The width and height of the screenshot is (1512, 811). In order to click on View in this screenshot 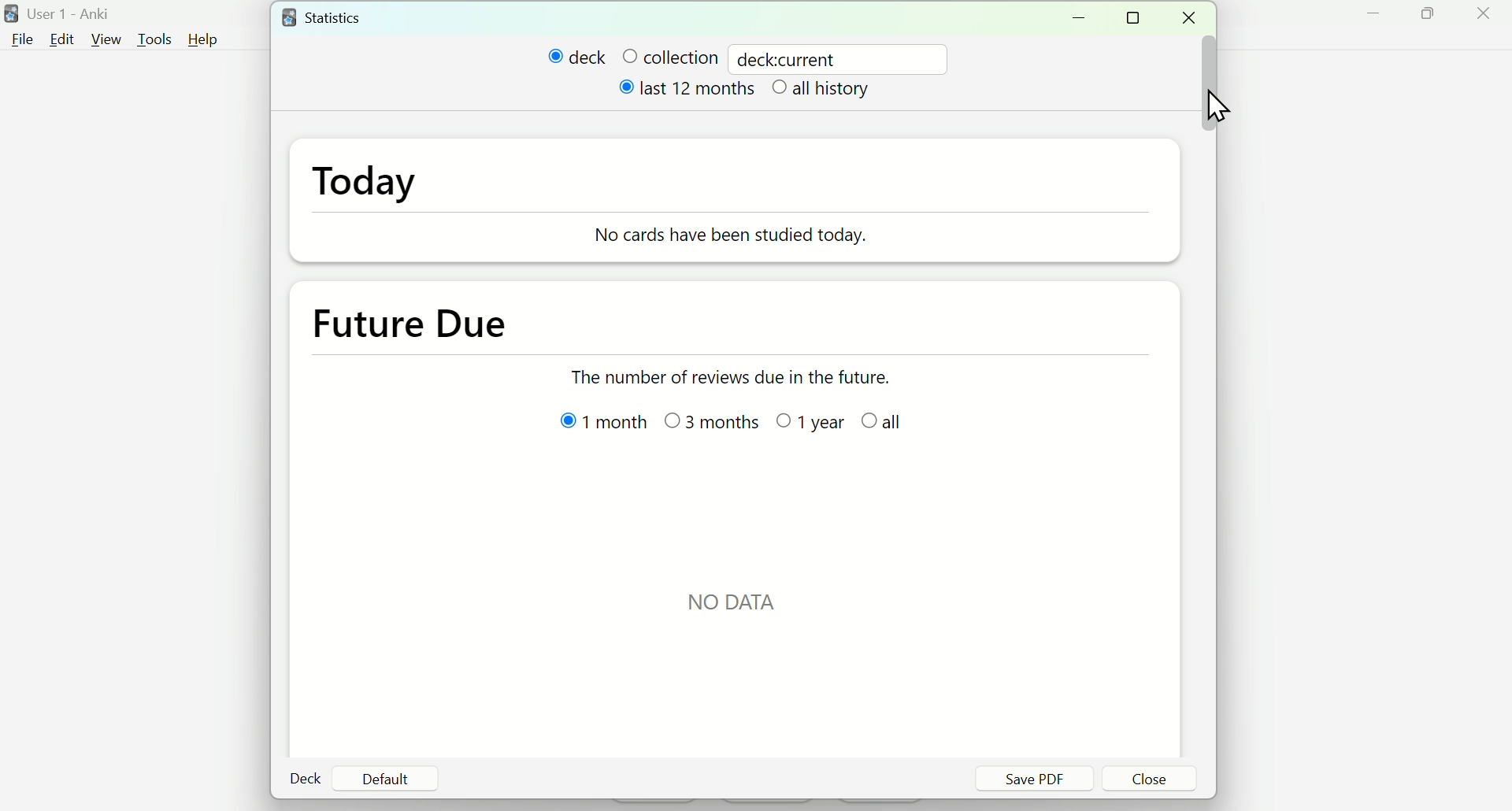, I will do `click(107, 37)`.